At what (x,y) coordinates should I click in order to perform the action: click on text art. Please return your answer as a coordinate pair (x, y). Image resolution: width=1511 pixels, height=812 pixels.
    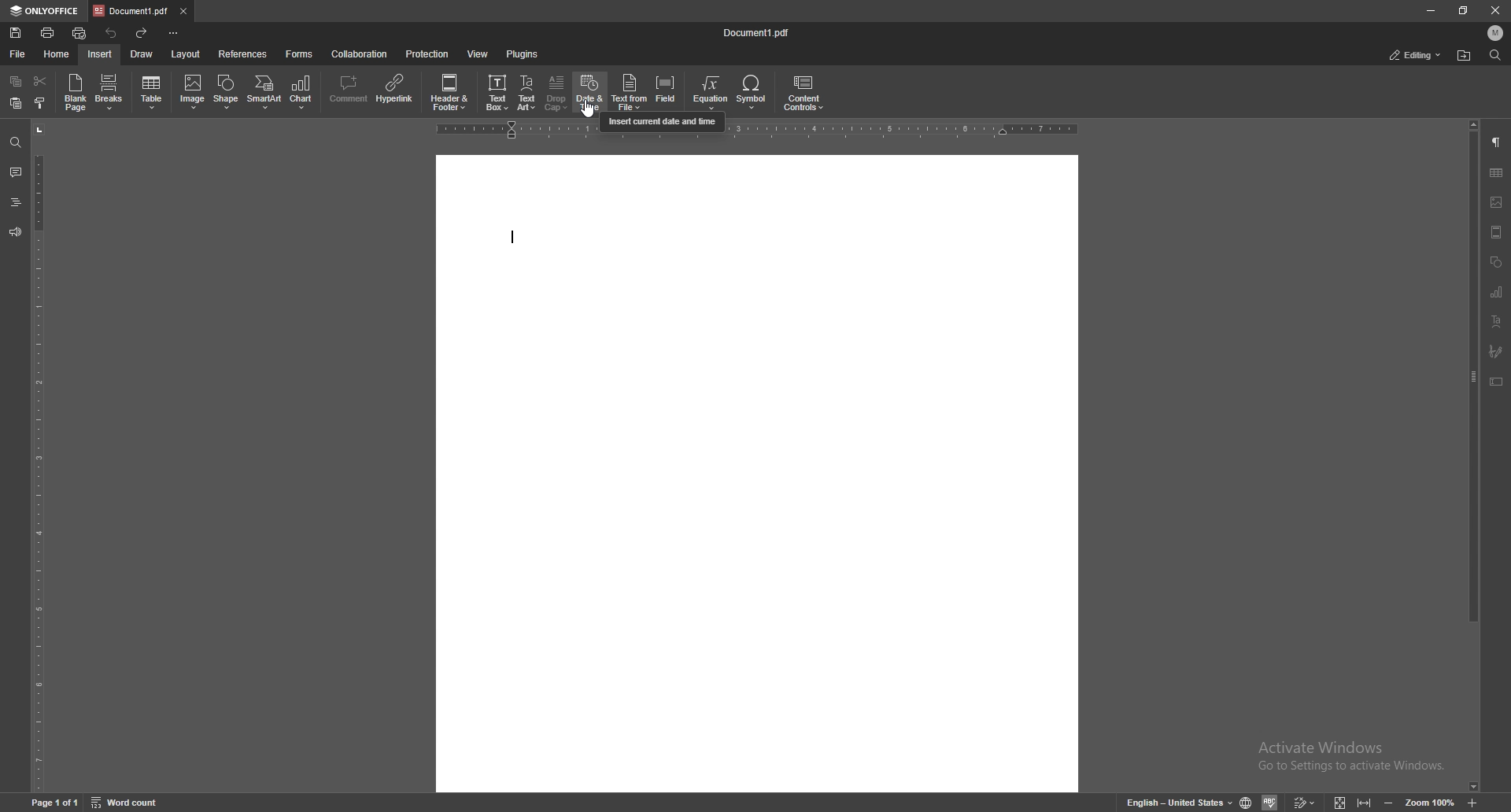
    Looking at the image, I should click on (527, 92).